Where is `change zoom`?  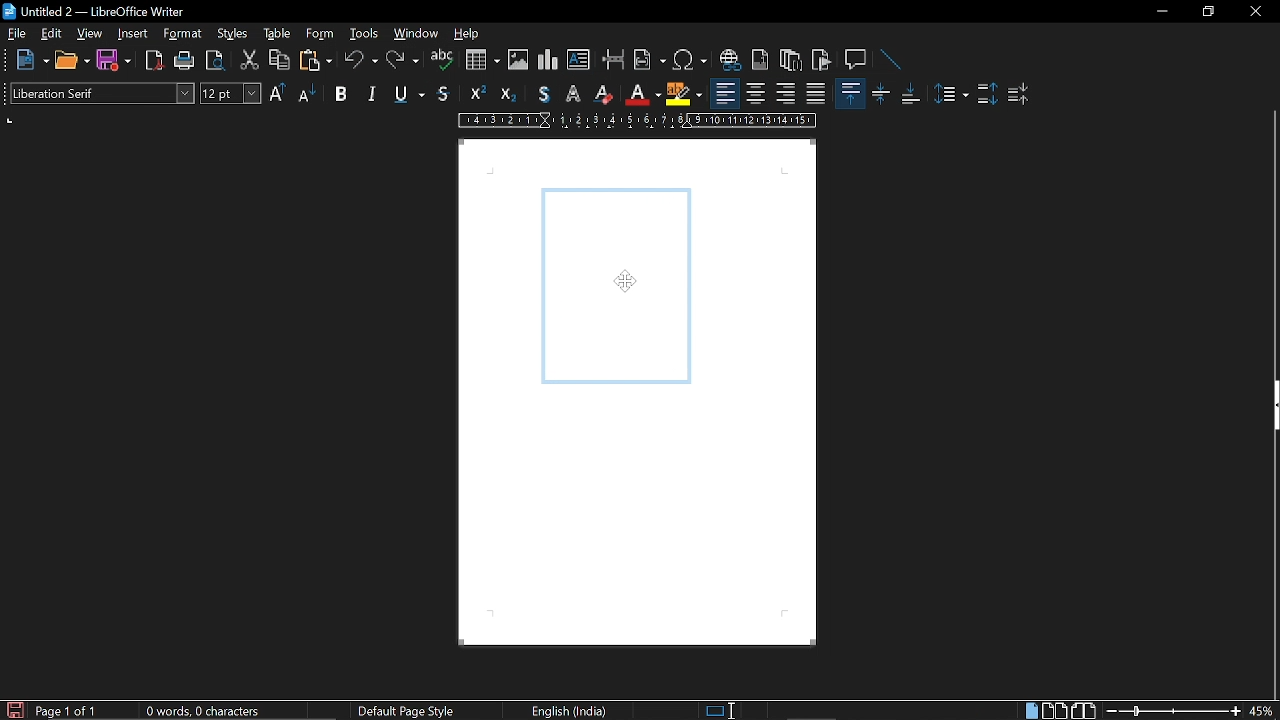
change zoom is located at coordinates (1173, 711).